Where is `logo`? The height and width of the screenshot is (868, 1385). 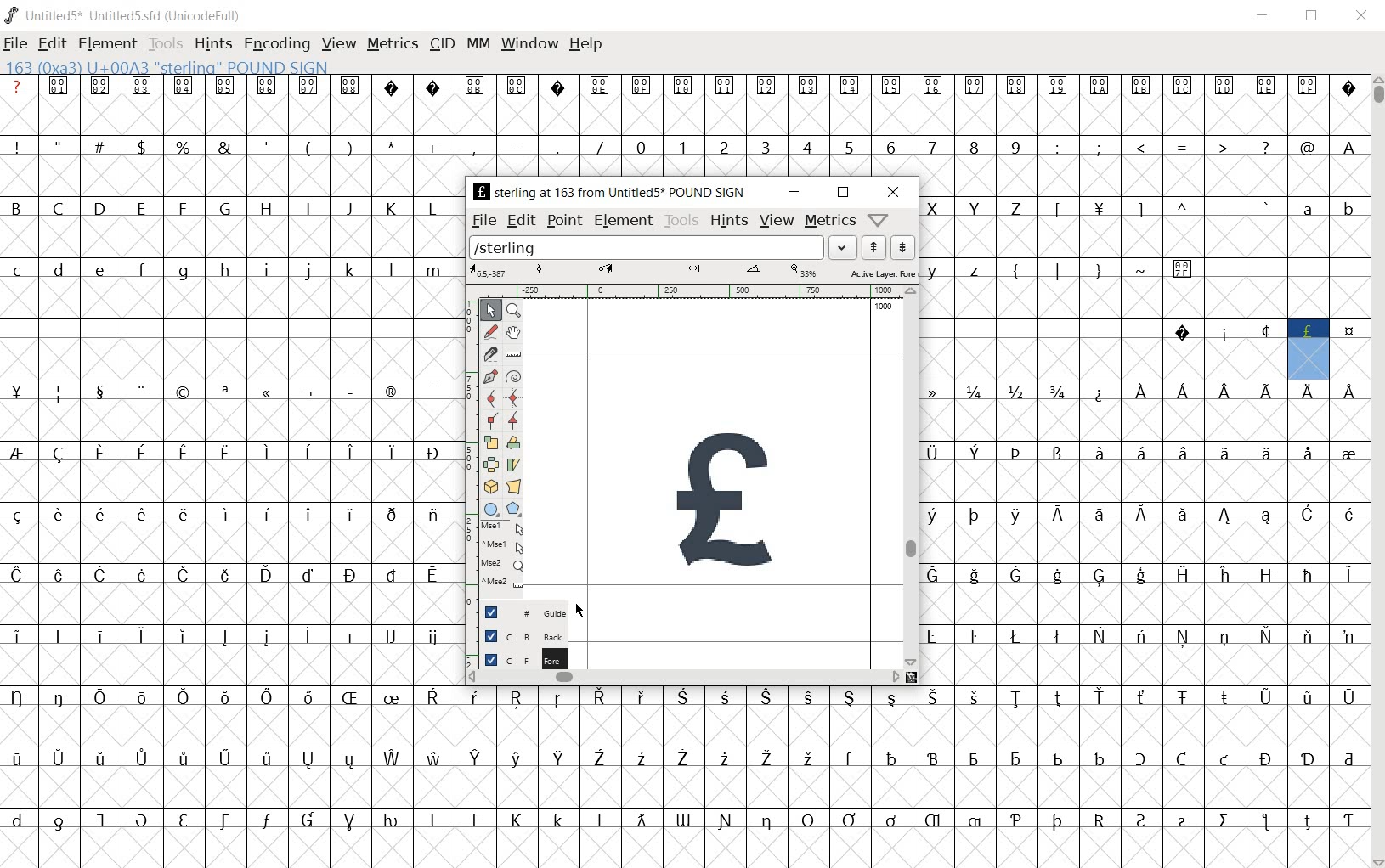
logo is located at coordinates (12, 14).